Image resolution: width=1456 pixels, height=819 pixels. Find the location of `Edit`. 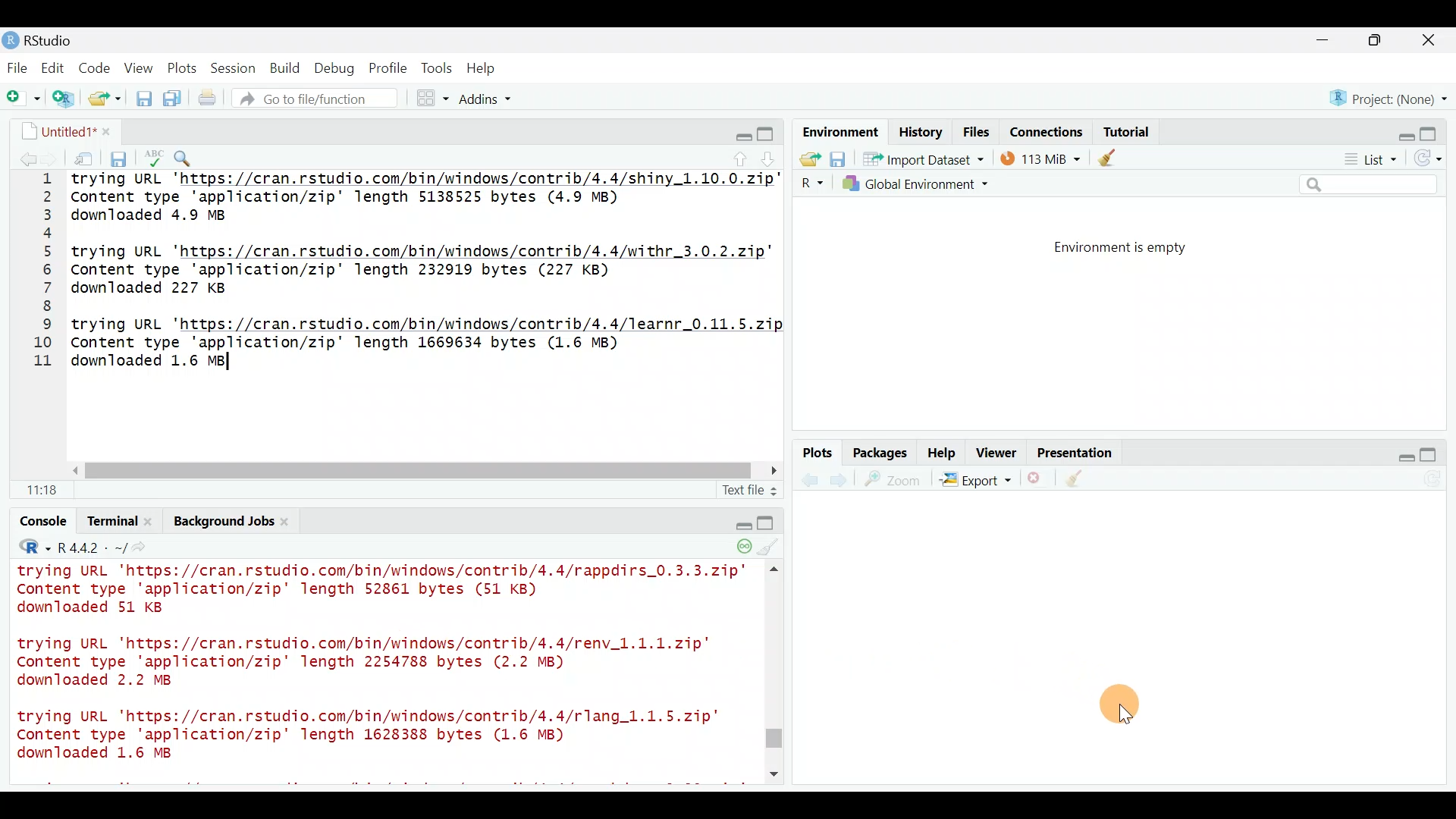

Edit is located at coordinates (55, 69).